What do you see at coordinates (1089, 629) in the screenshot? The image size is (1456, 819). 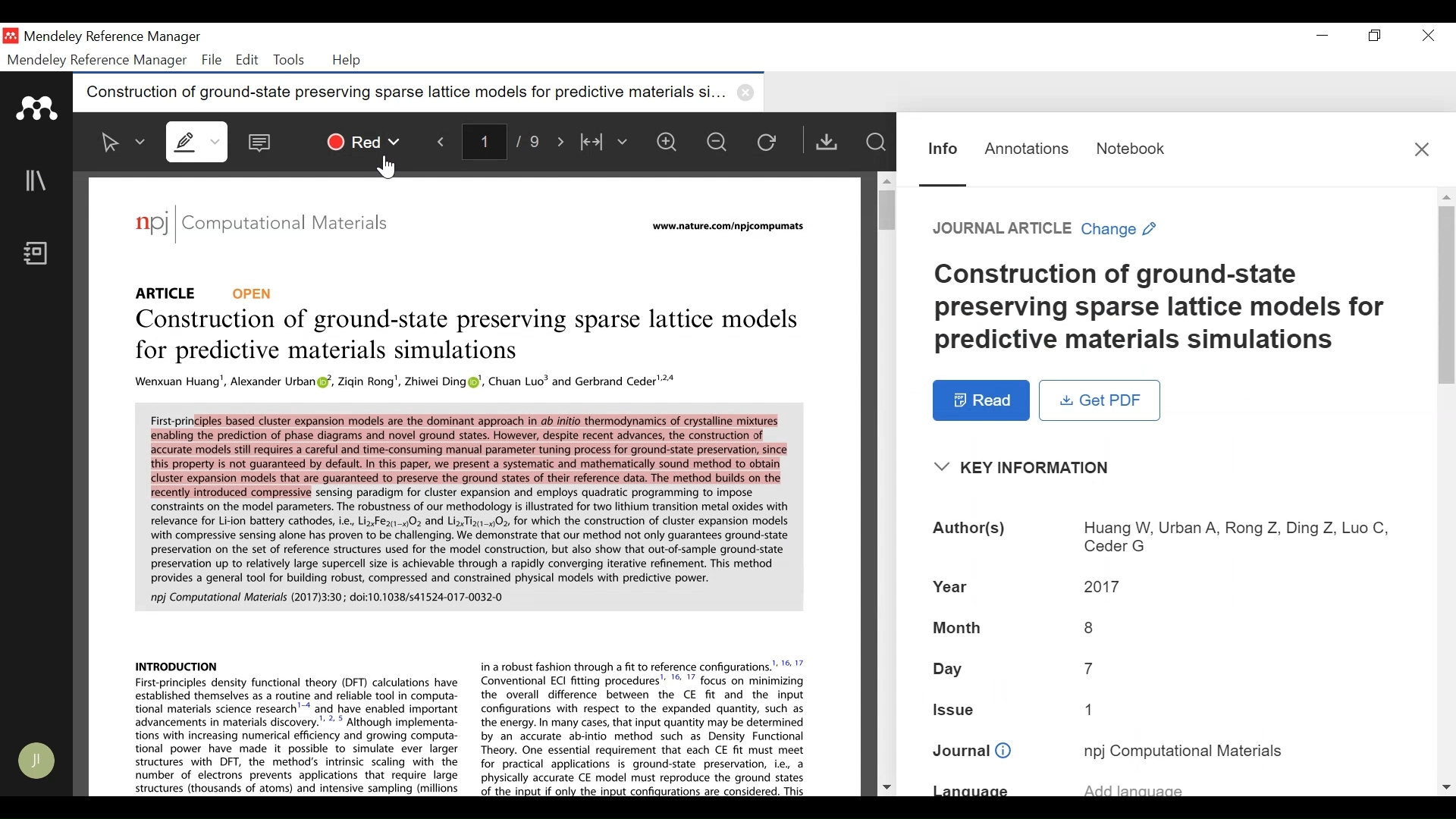 I see `8` at bounding box center [1089, 629].